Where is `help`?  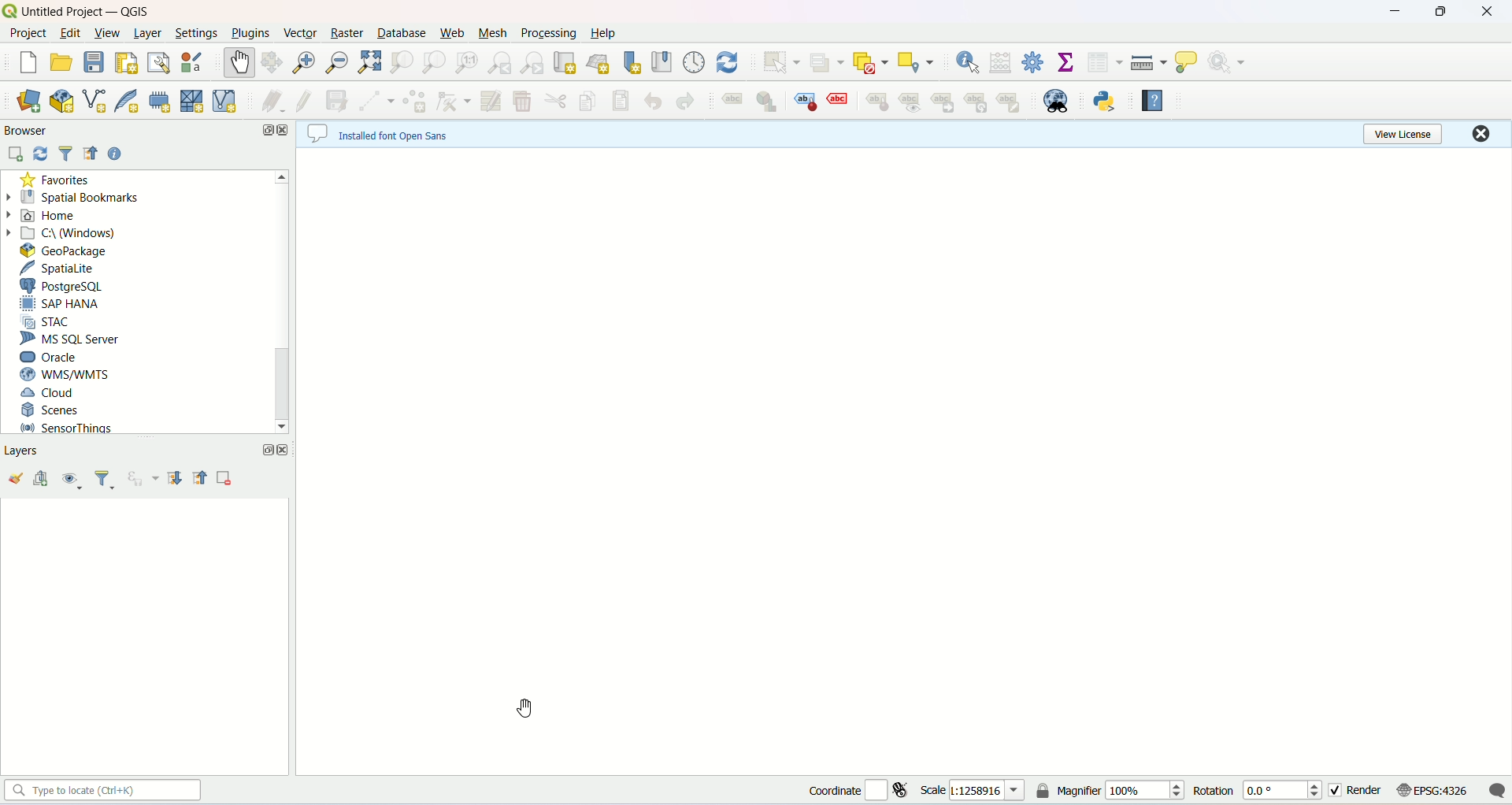
help is located at coordinates (605, 33).